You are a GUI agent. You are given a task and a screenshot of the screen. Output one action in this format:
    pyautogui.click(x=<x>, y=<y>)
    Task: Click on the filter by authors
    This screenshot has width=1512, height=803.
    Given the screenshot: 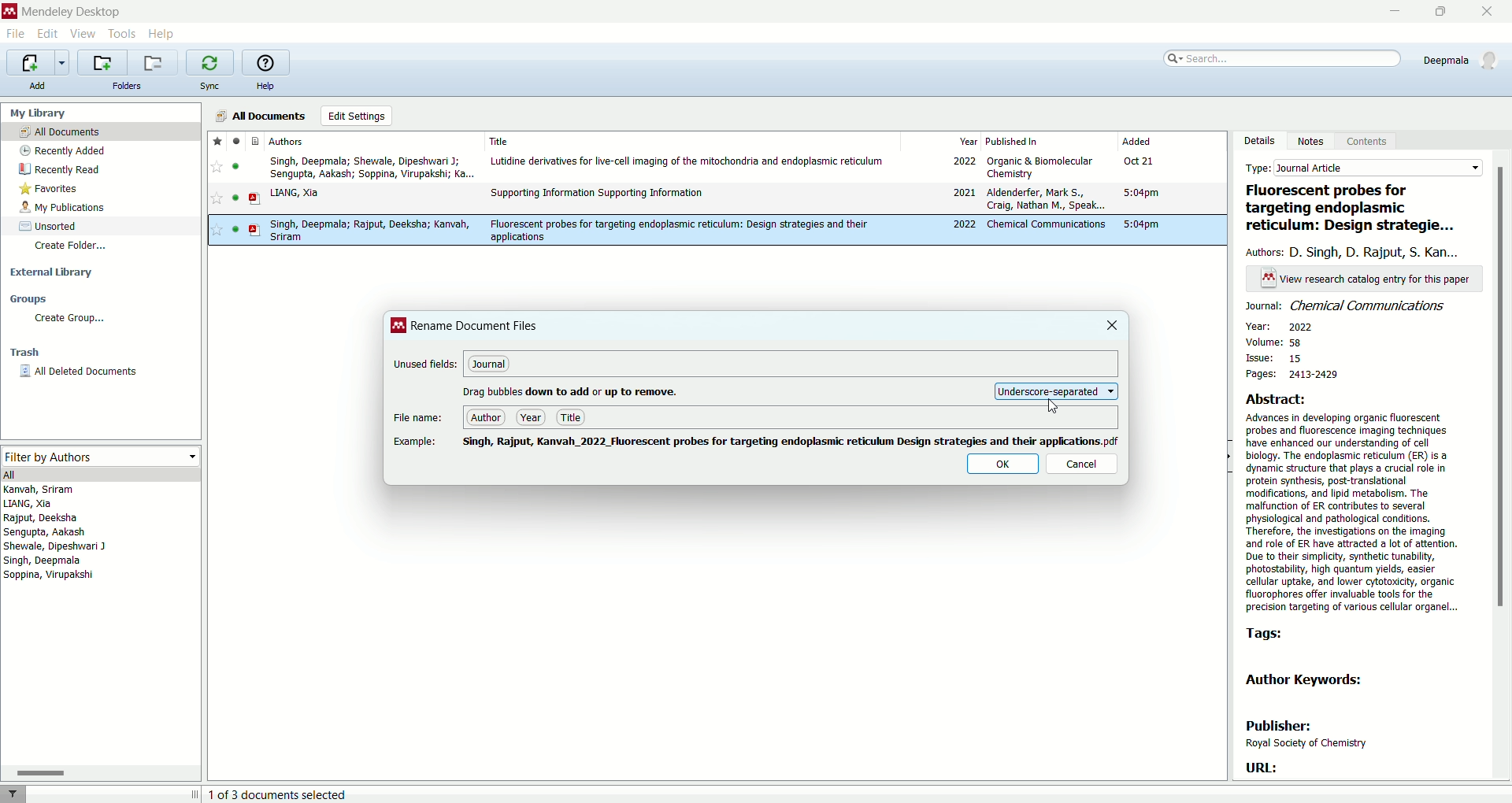 What is the action you would take?
    pyautogui.click(x=98, y=454)
    